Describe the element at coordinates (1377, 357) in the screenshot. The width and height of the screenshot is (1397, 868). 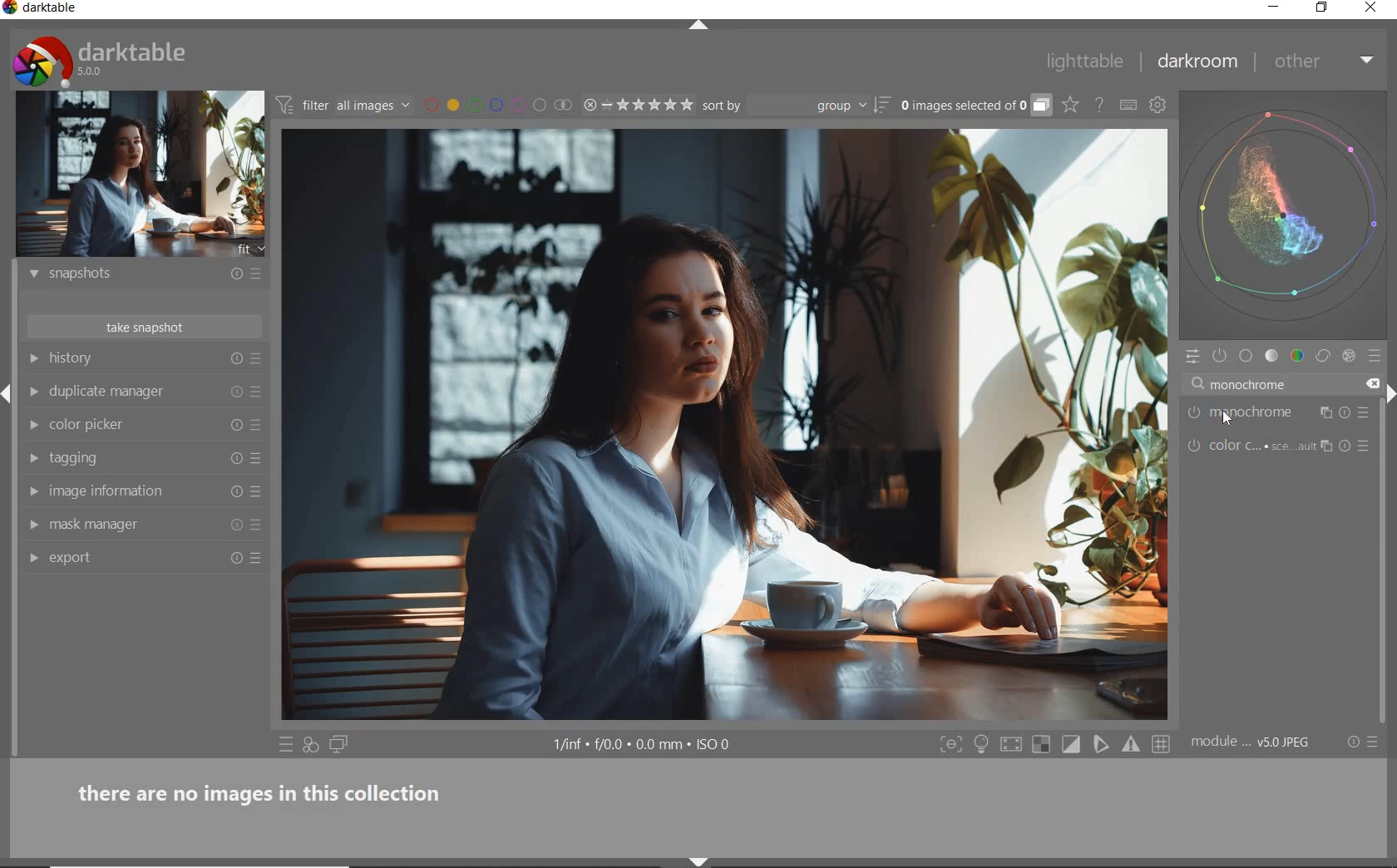
I see `presets` at that location.